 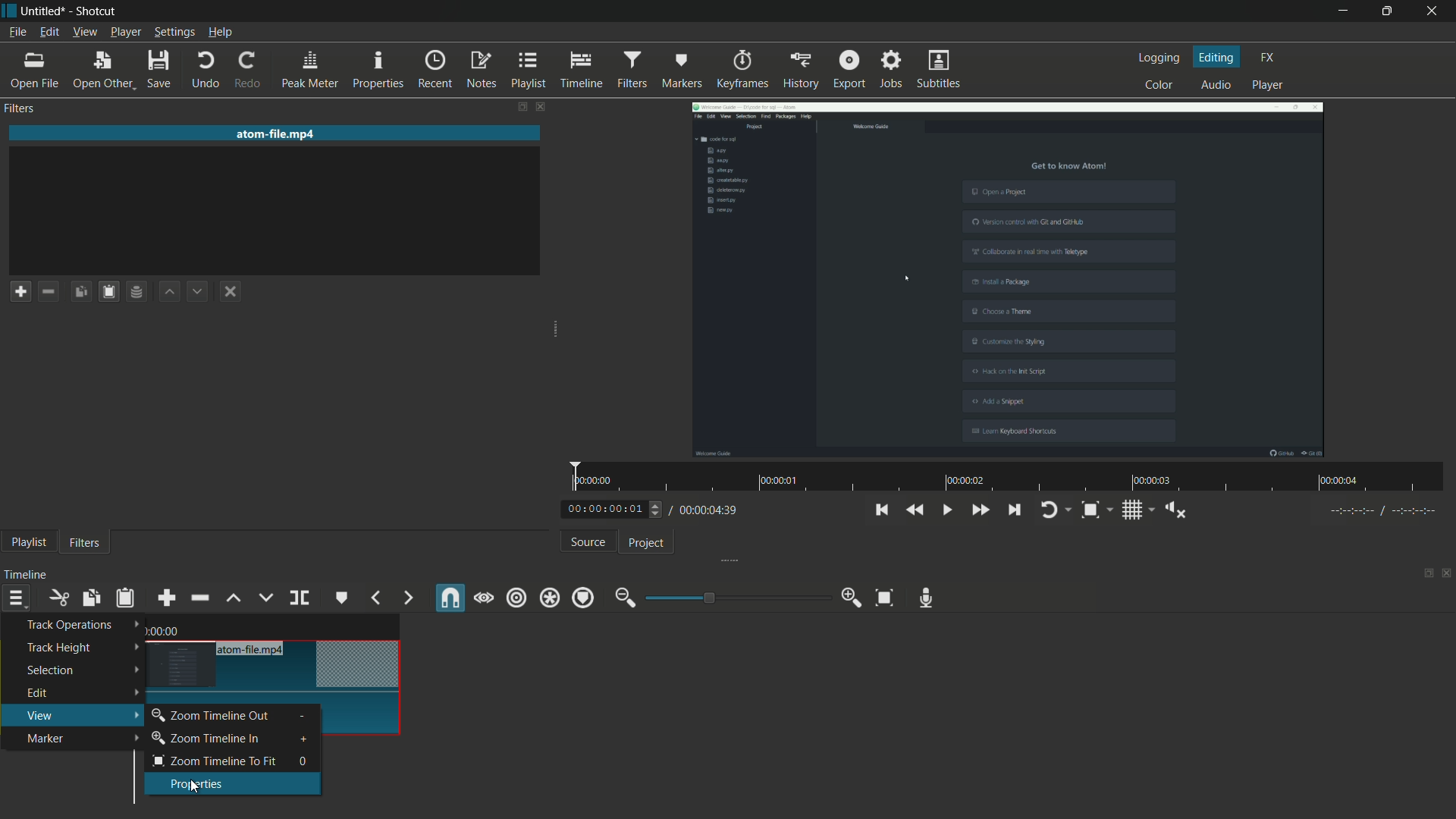 What do you see at coordinates (1090, 510) in the screenshot?
I see `toggle zoom` at bounding box center [1090, 510].